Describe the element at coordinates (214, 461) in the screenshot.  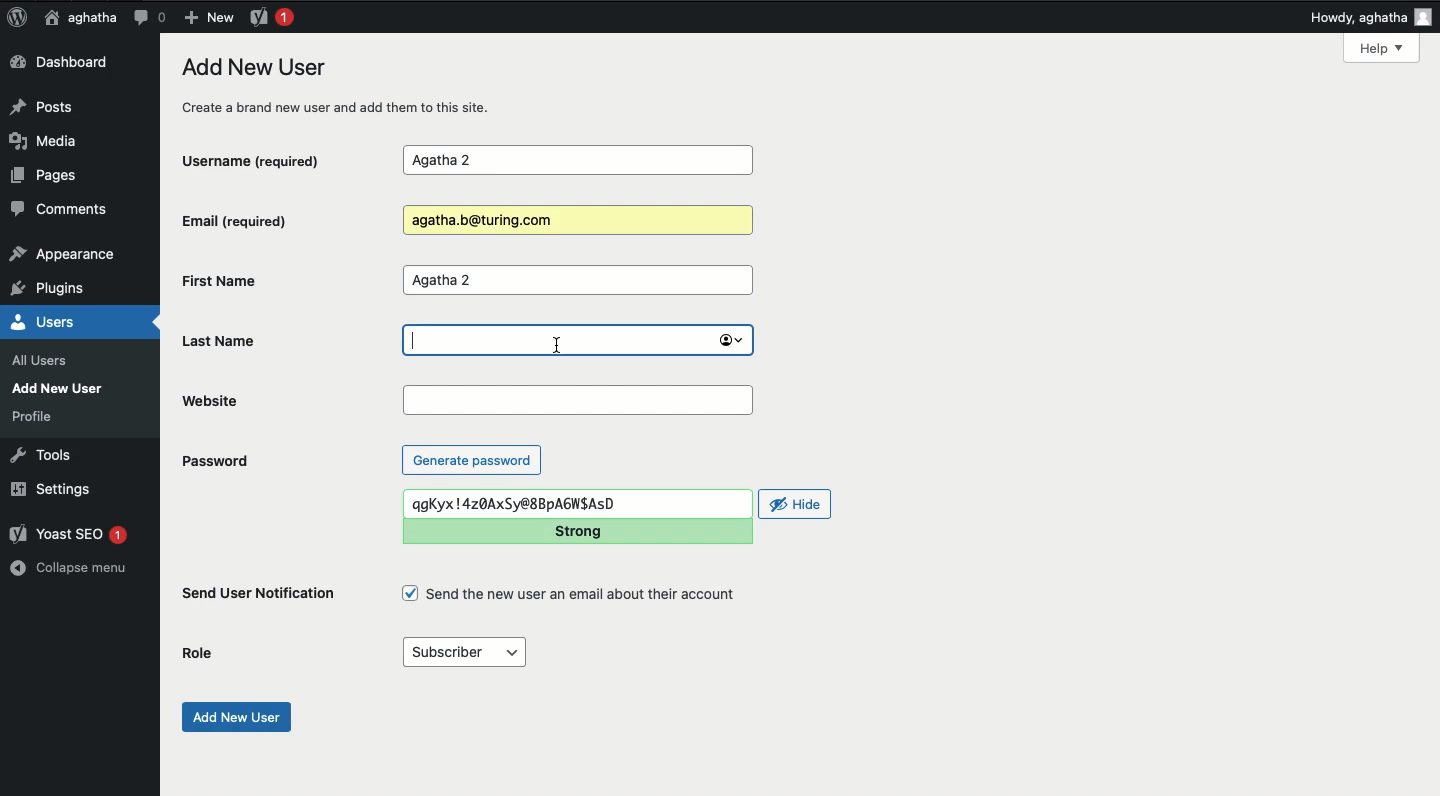
I see `Password` at that location.